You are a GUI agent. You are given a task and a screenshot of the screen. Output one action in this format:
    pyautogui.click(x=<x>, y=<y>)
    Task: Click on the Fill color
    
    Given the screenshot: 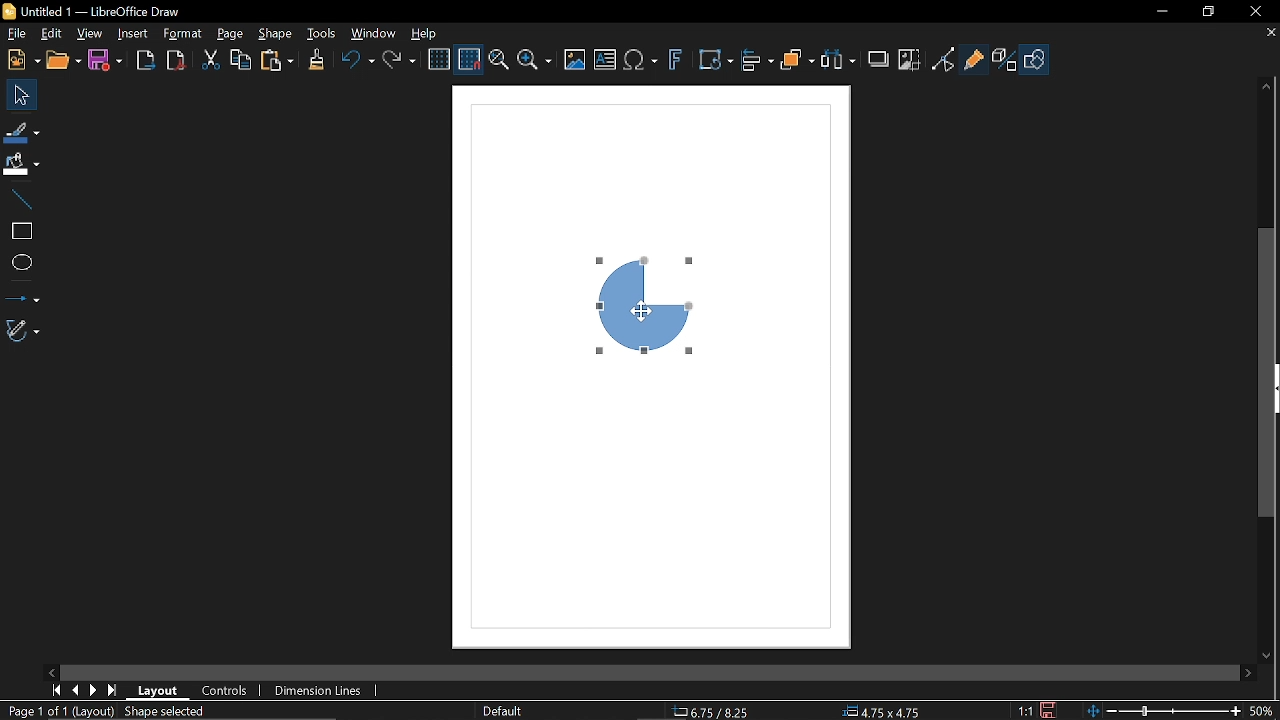 What is the action you would take?
    pyautogui.click(x=21, y=164)
    